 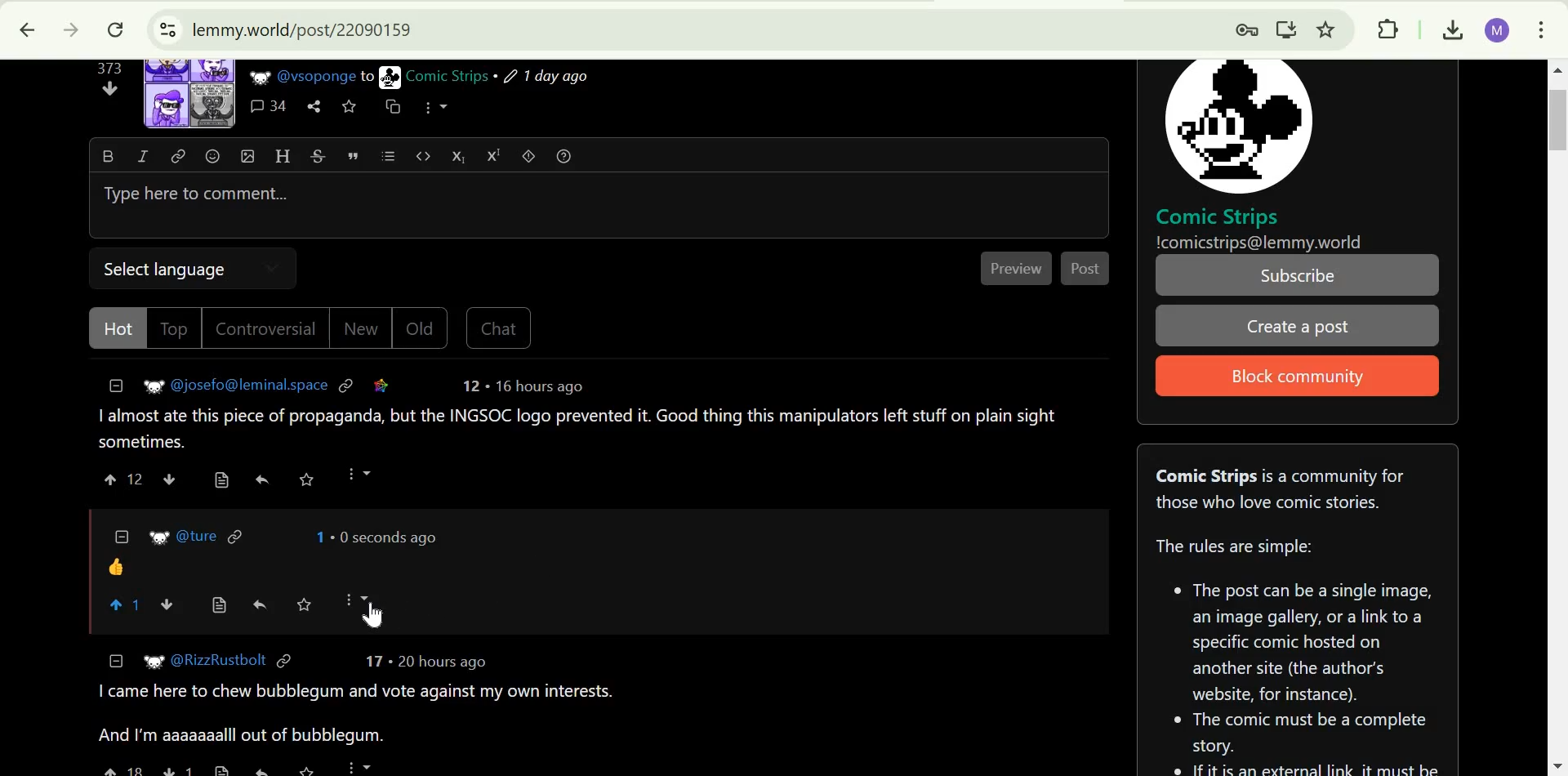 I want to click on more options, so click(x=358, y=474).